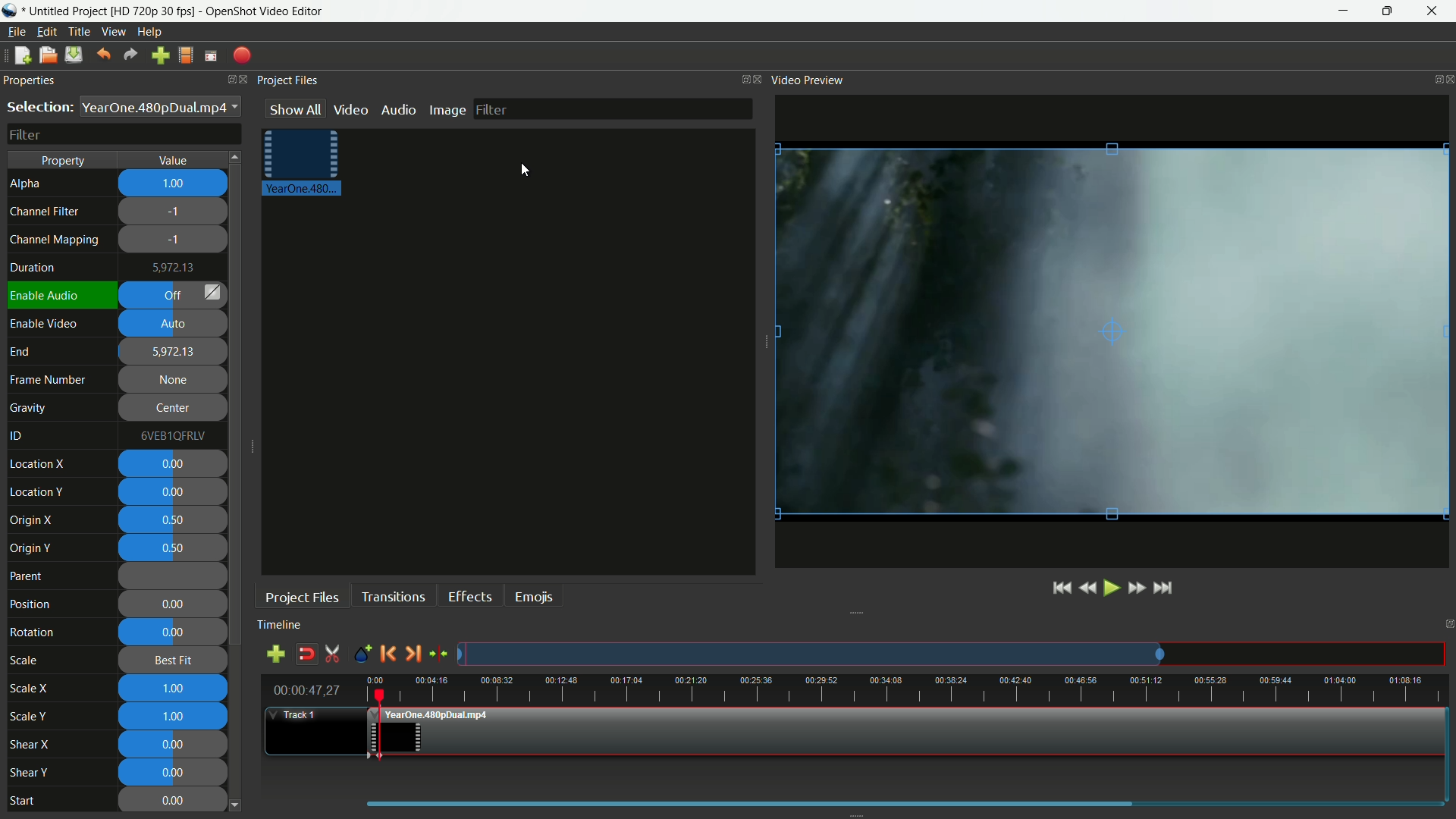 The height and width of the screenshot is (819, 1456). What do you see at coordinates (176, 213) in the screenshot?
I see `-1` at bounding box center [176, 213].